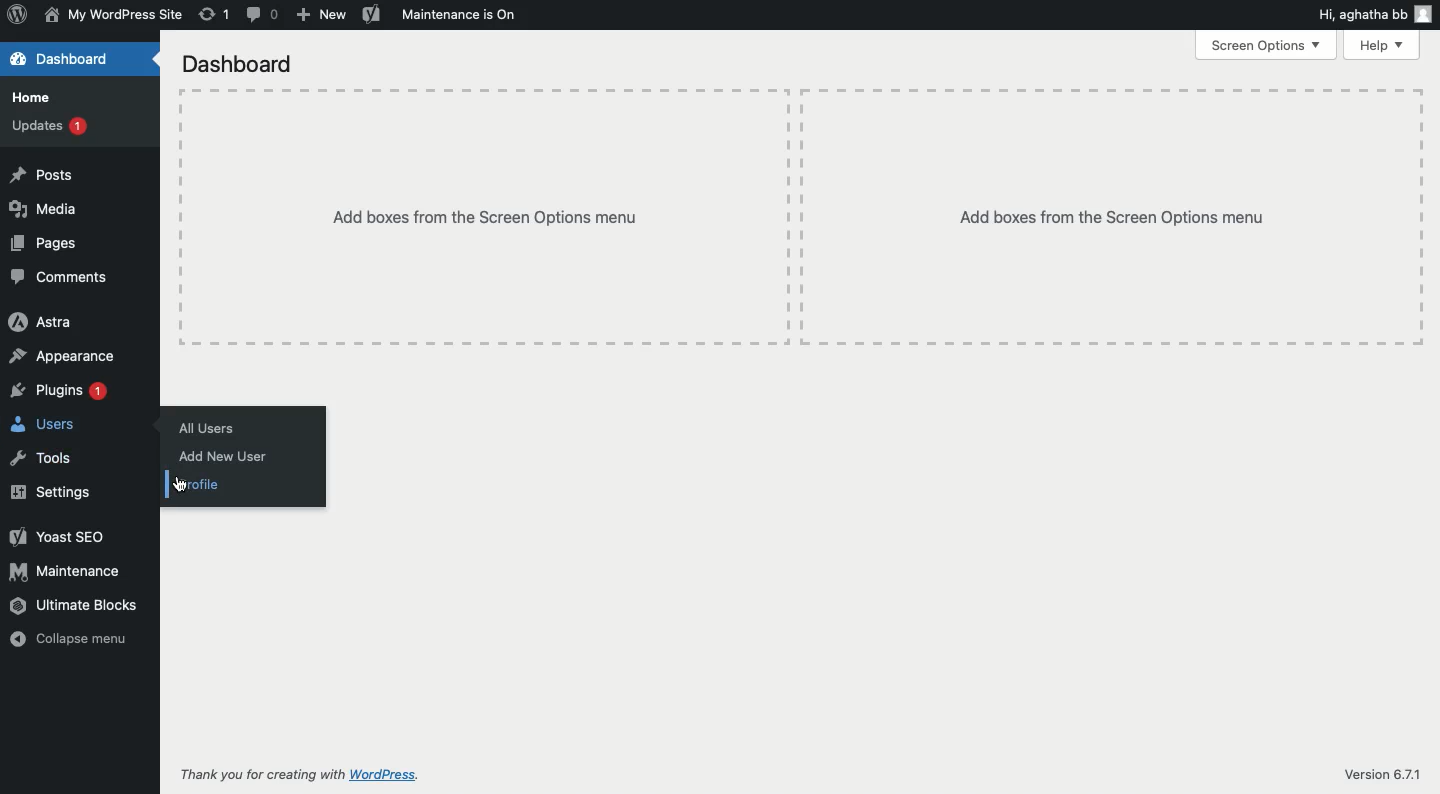 This screenshot has width=1440, height=794. I want to click on Updates, so click(50, 125).